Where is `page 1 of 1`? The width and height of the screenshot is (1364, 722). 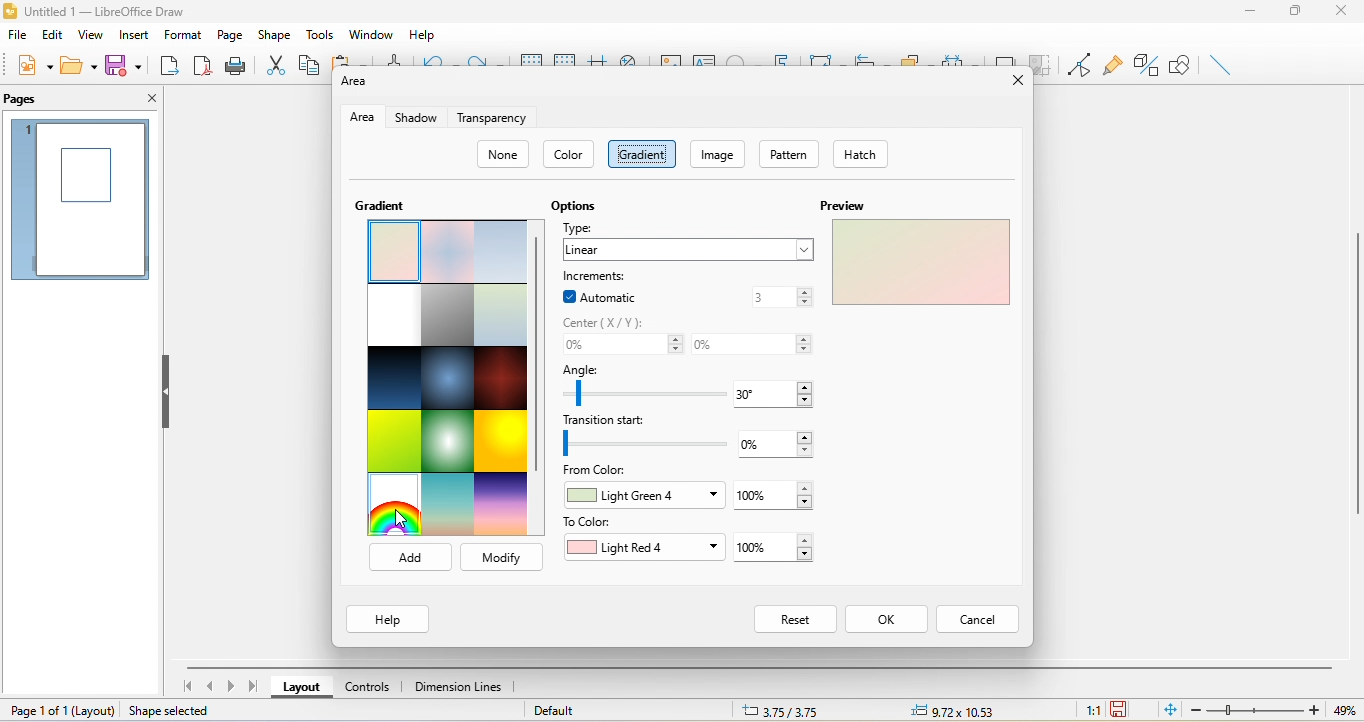 page 1 of 1 is located at coordinates (61, 711).